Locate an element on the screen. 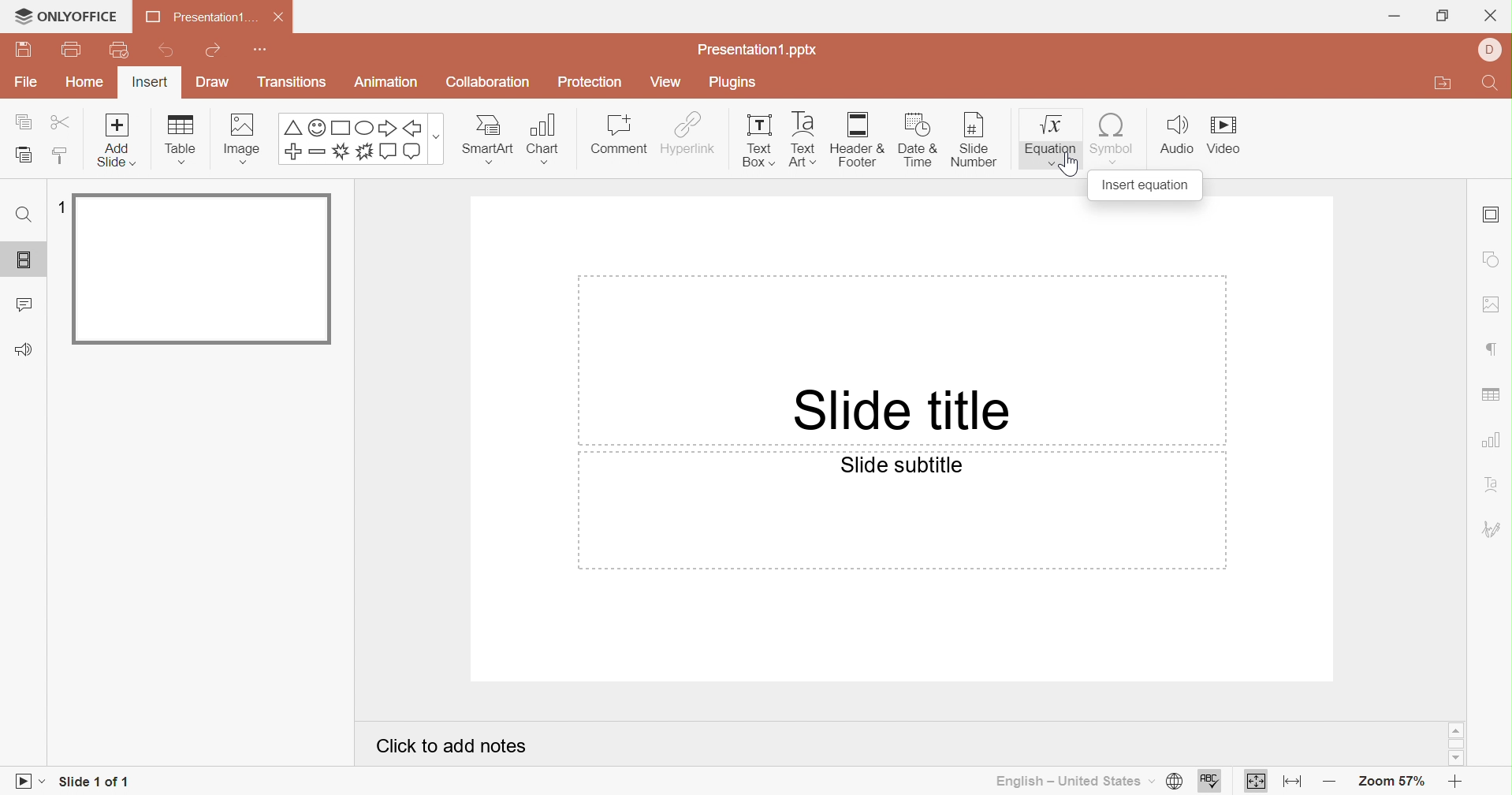  Zoom in is located at coordinates (1456, 783).